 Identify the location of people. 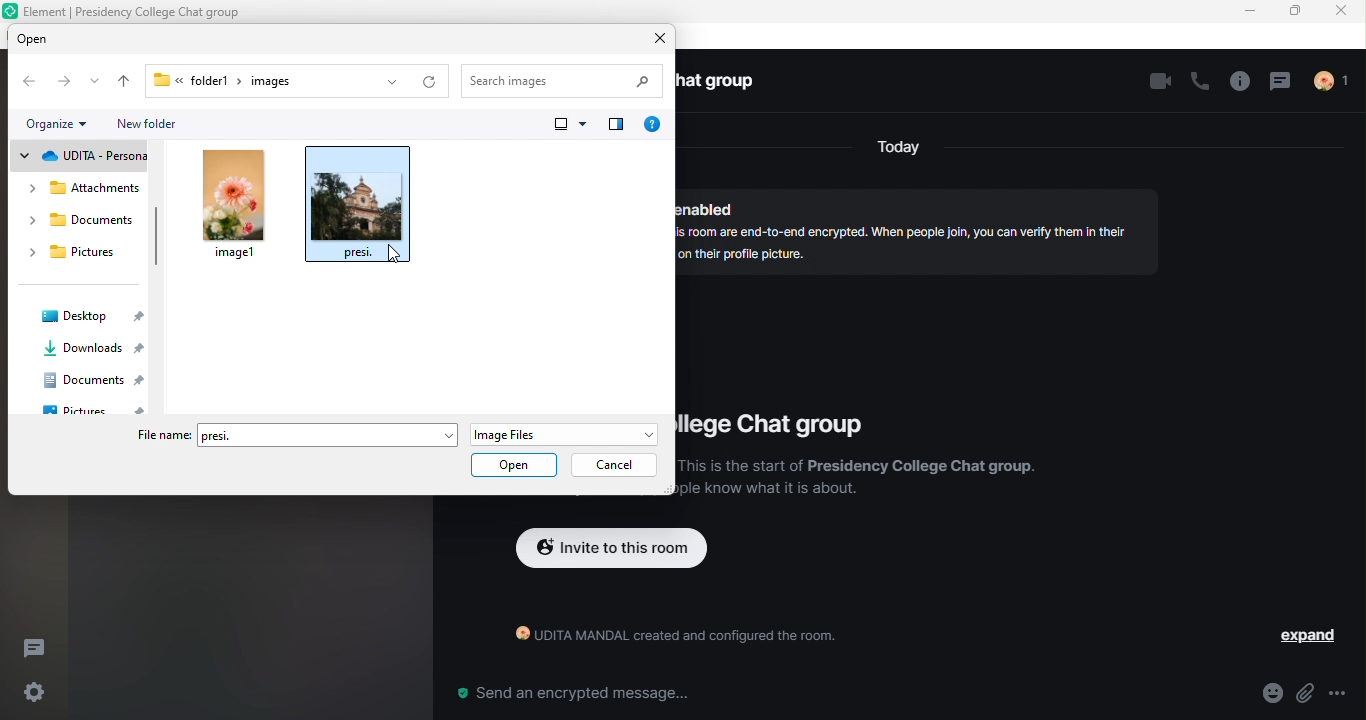
(1340, 83).